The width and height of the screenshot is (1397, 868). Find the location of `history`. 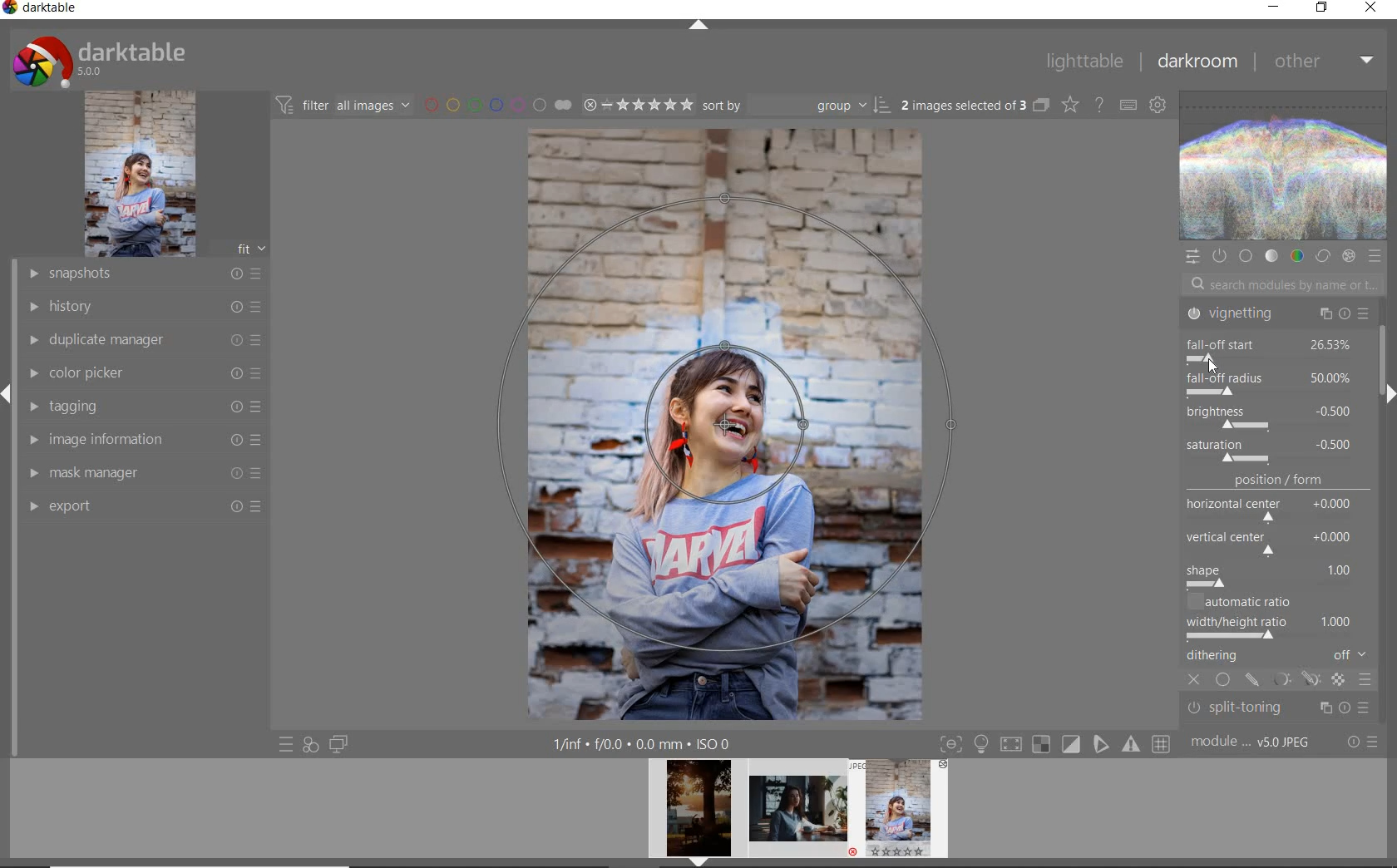

history is located at coordinates (144, 305).